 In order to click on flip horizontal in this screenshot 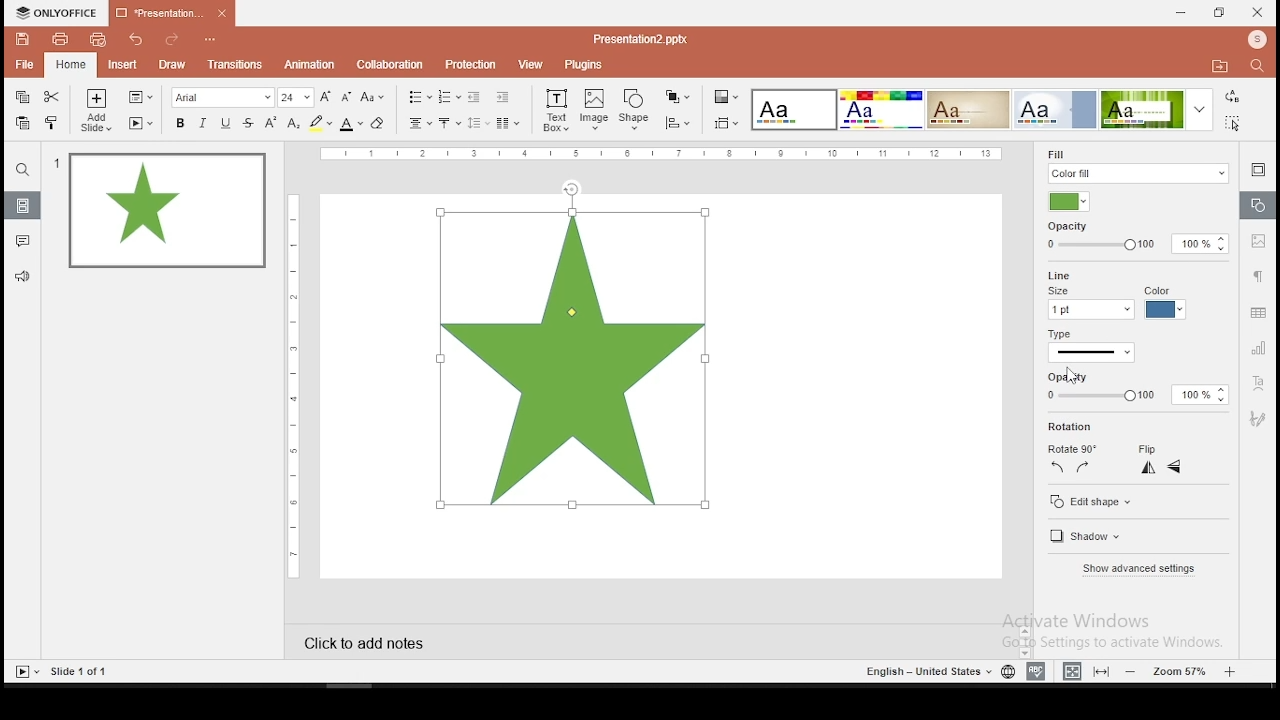, I will do `click(1148, 467)`.